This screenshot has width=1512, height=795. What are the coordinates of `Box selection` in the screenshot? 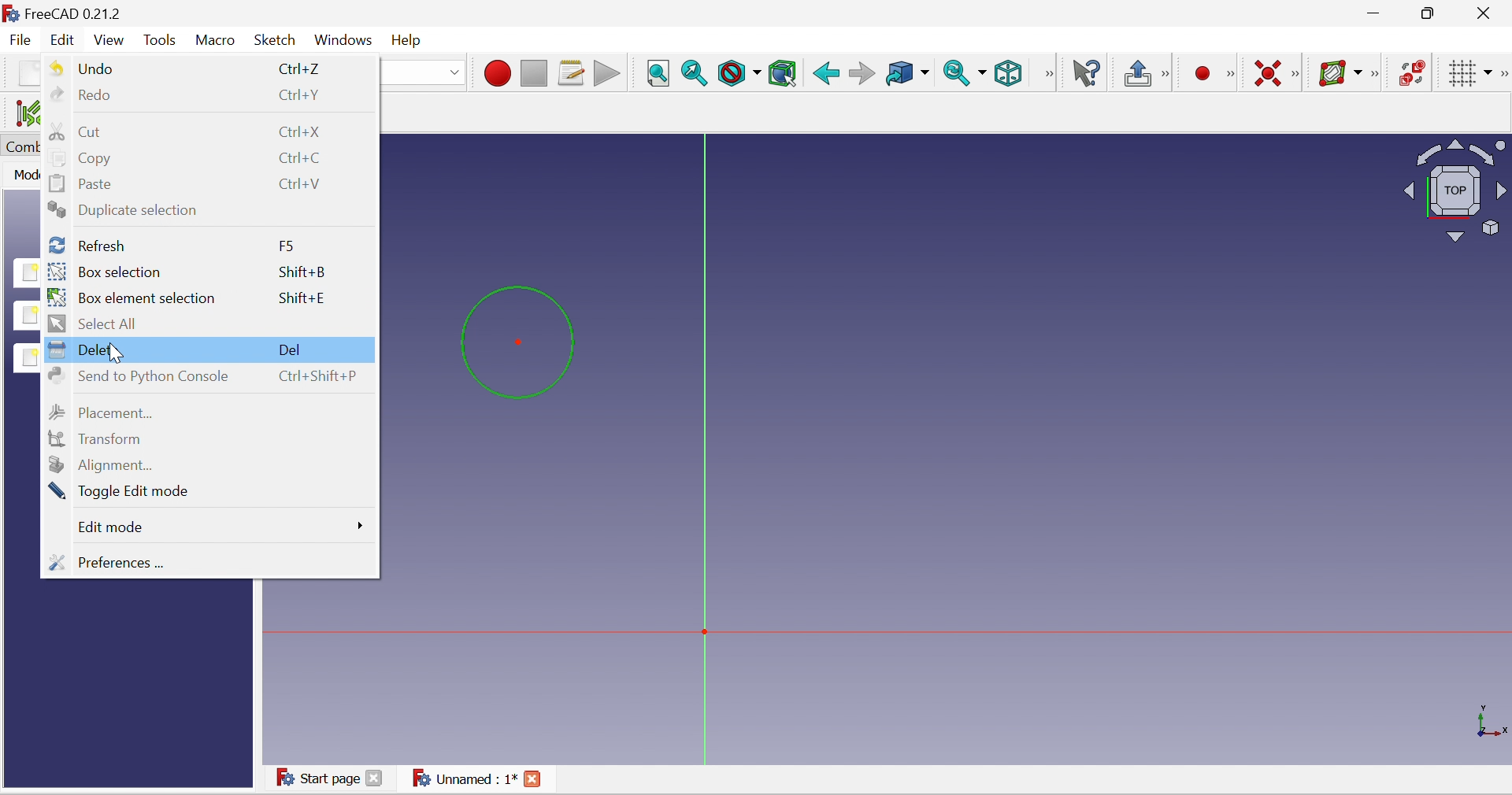 It's located at (106, 272).